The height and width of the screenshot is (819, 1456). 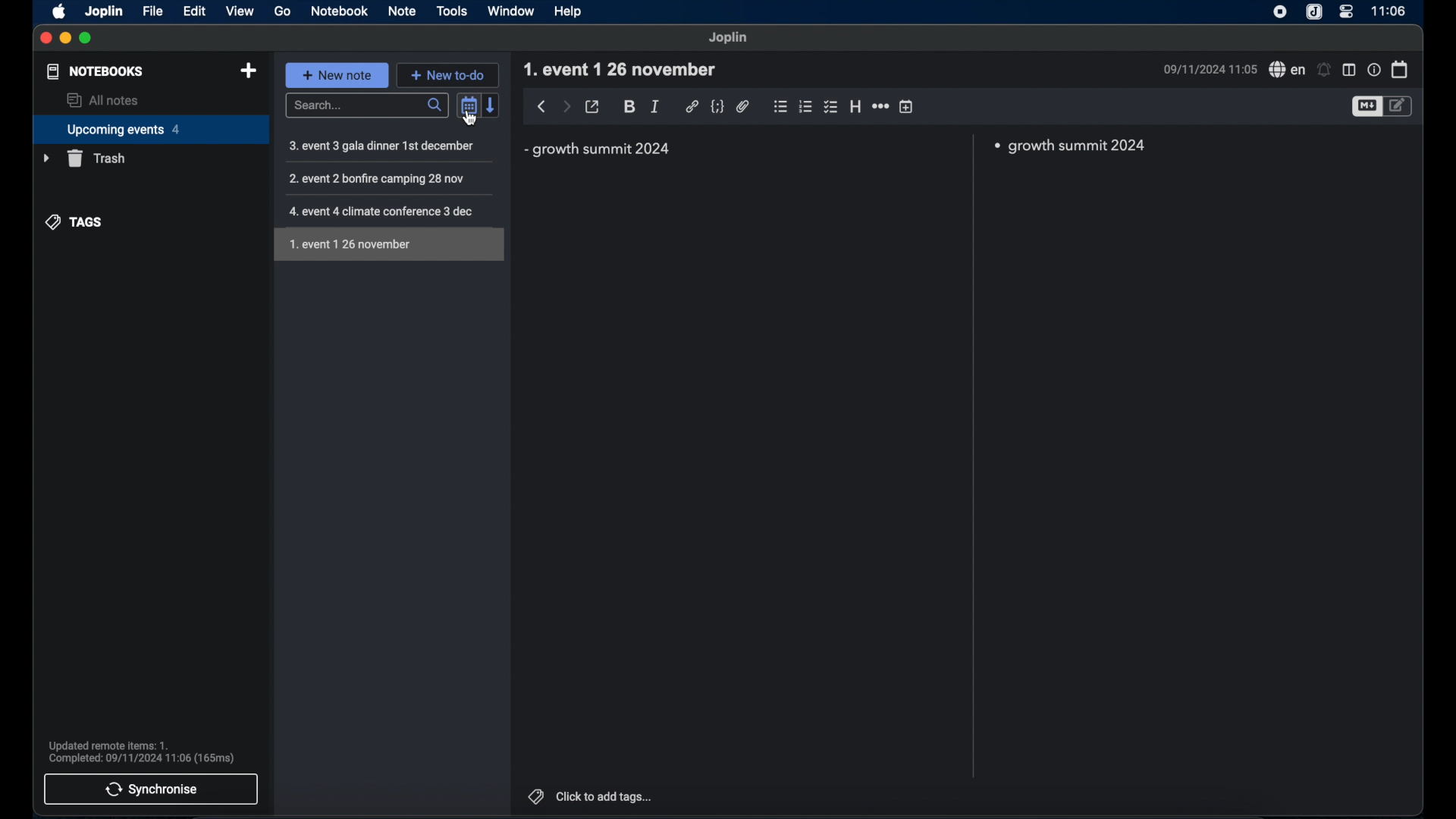 What do you see at coordinates (1316, 13) in the screenshot?
I see `joplin icon` at bounding box center [1316, 13].